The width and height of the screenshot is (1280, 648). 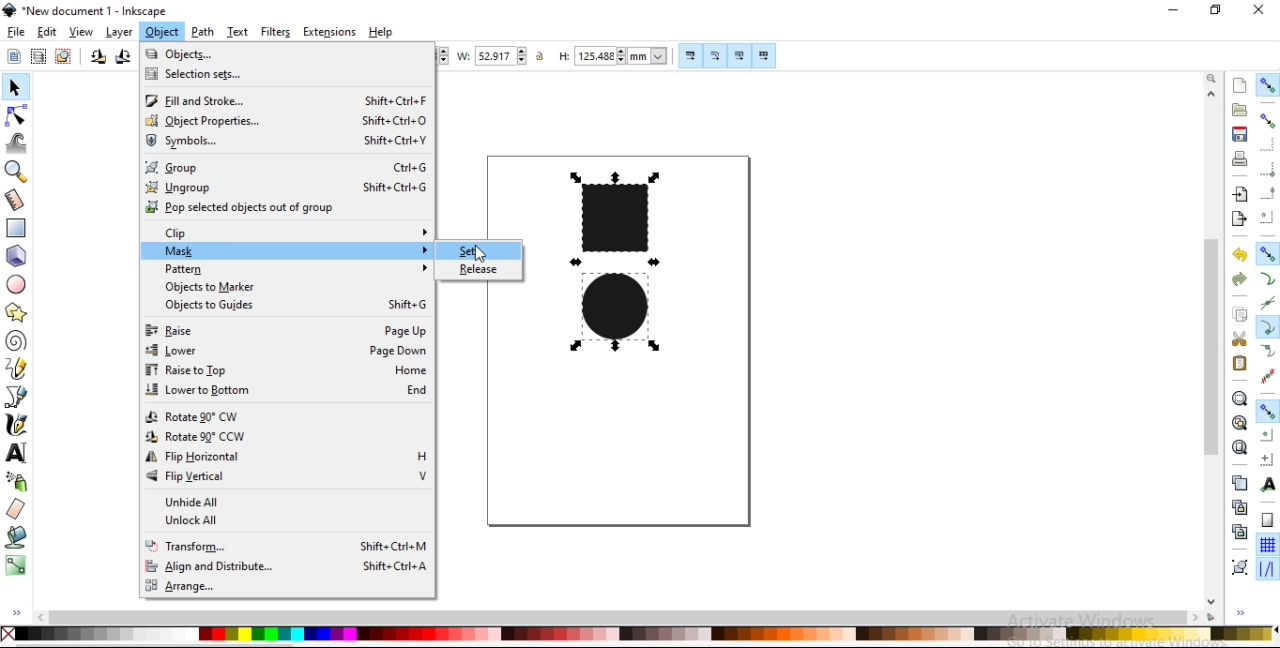 I want to click on create circles, arcs and ellipses, so click(x=18, y=285).